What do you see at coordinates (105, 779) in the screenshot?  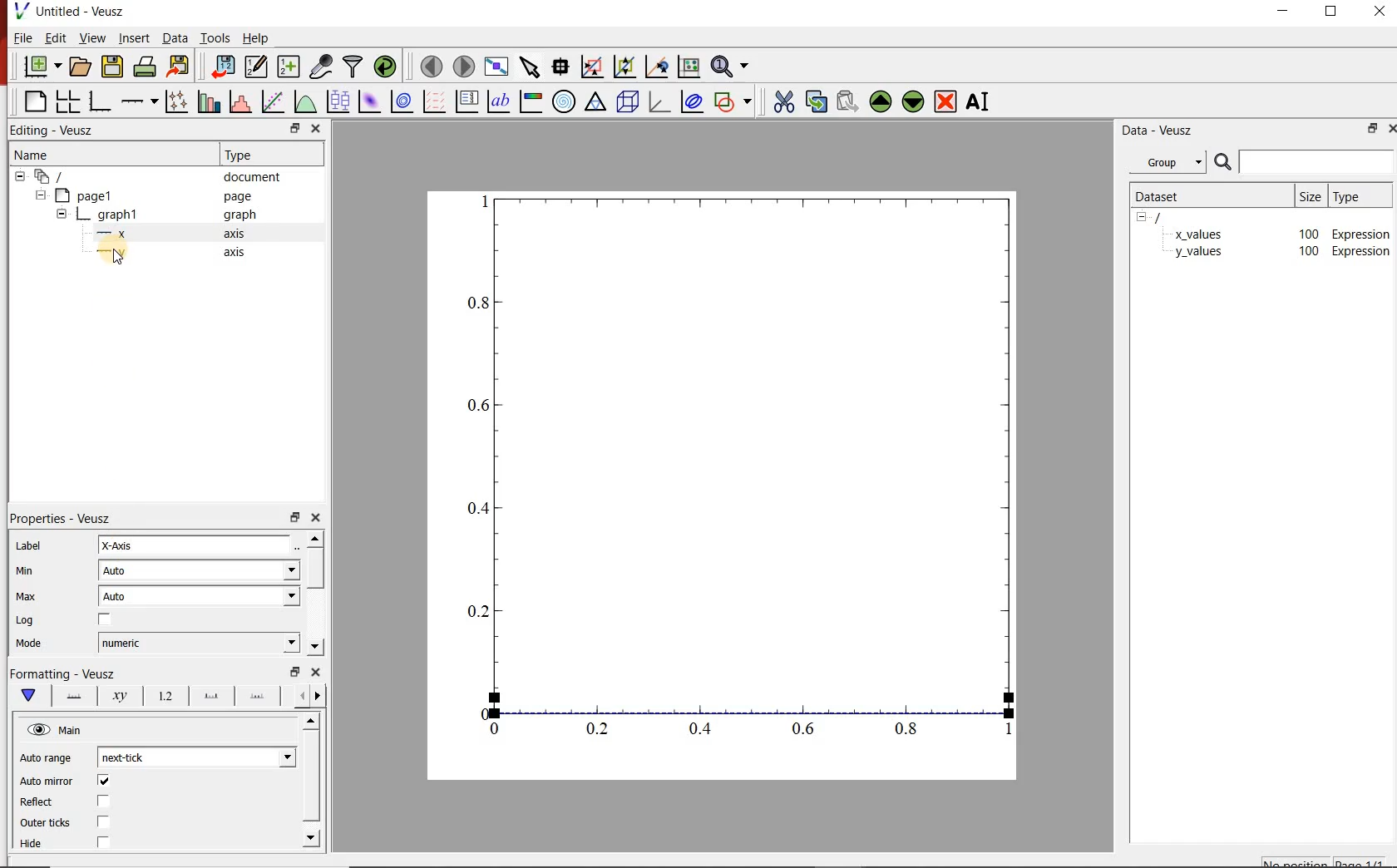 I see `checkbox` at bounding box center [105, 779].